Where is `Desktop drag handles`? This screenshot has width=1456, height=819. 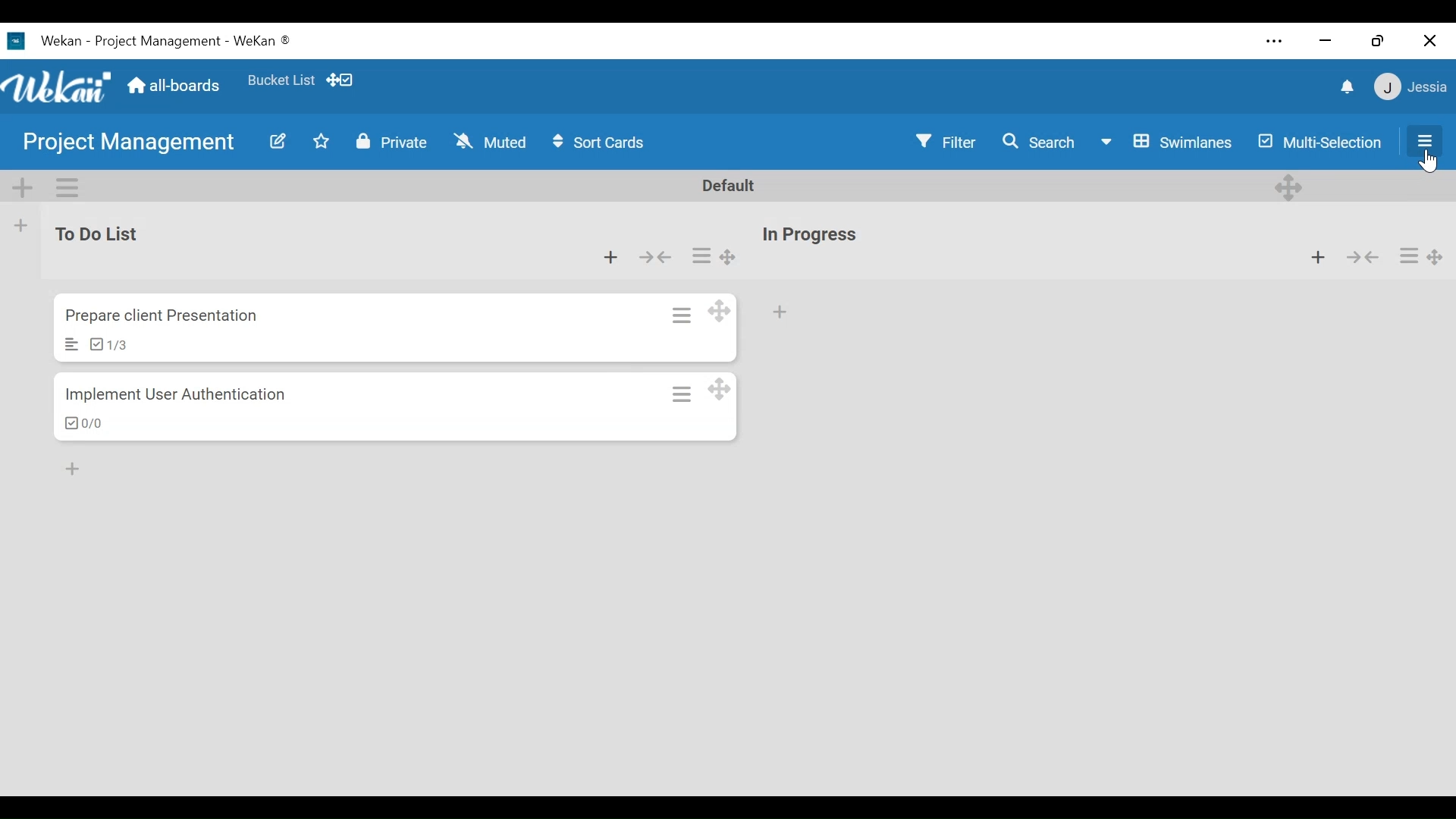
Desktop drag handles is located at coordinates (1437, 256).